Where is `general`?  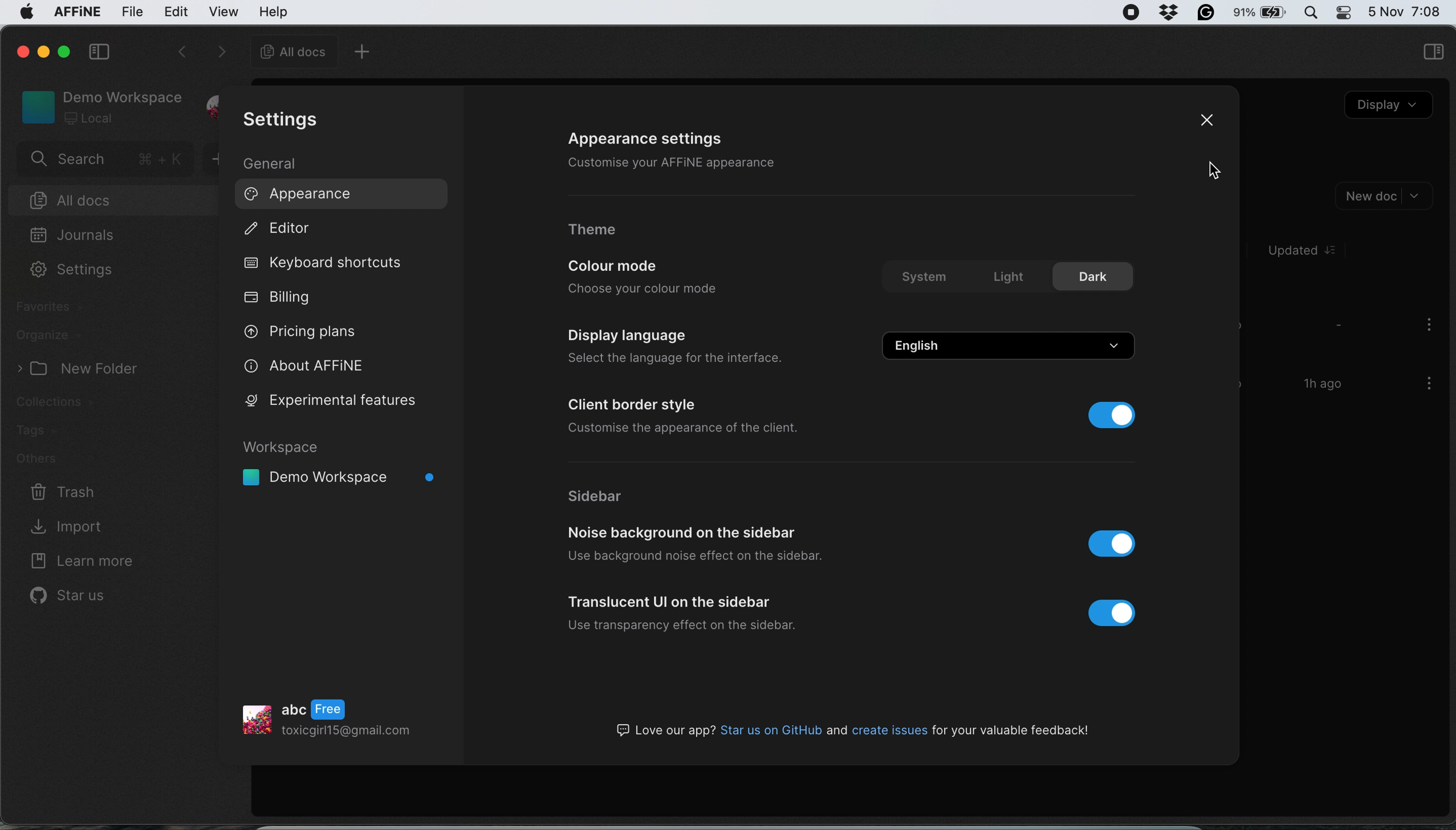 general is located at coordinates (271, 164).